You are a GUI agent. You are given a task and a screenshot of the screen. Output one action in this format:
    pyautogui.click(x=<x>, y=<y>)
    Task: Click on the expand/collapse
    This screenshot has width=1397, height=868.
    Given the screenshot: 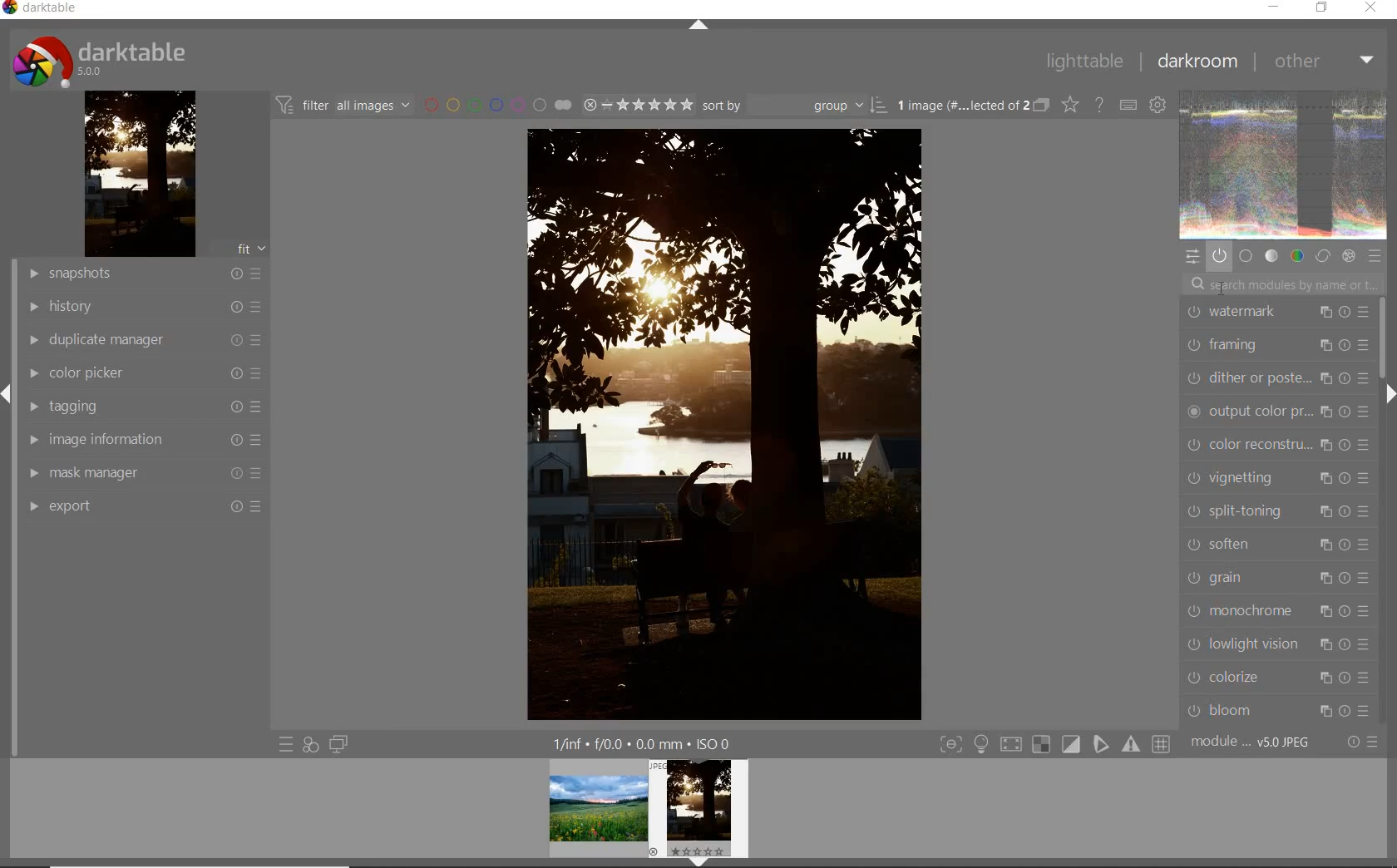 What is the action you would take?
    pyautogui.click(x=700, y=28)
    